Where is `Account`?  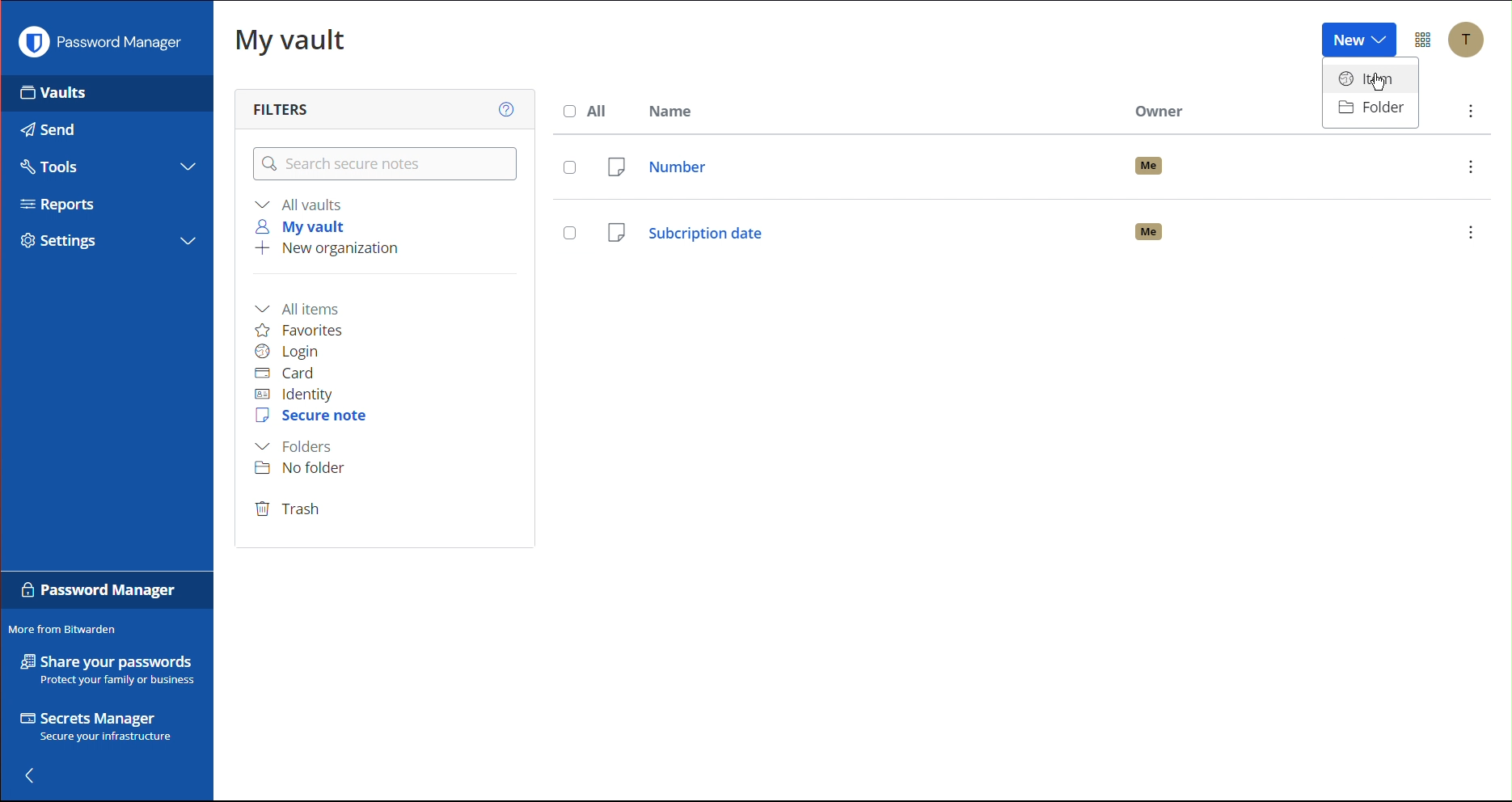 Account is located at coordinates (1469, 40).